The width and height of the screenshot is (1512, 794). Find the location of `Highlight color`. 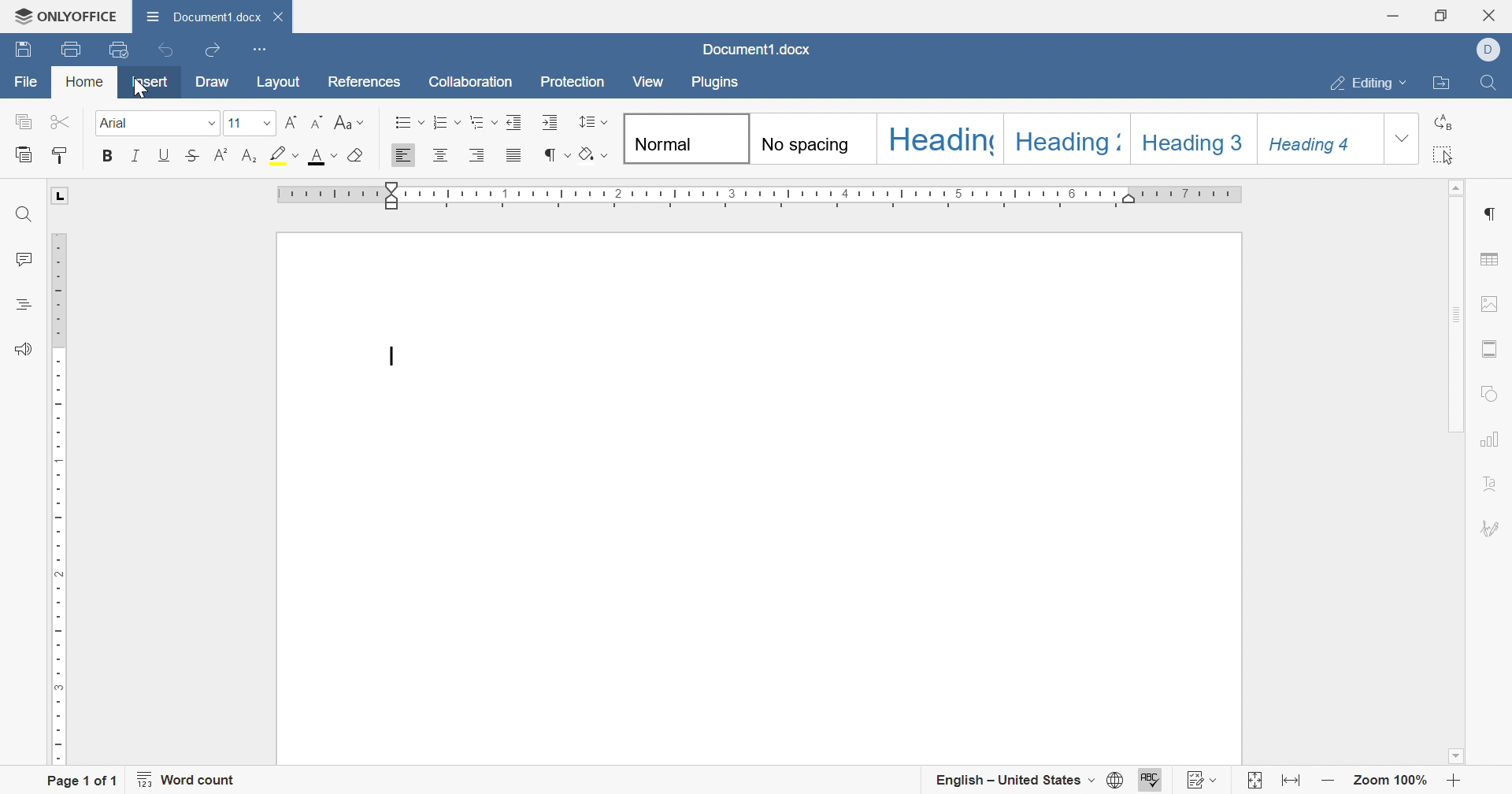

Highlight color is located at coordinates (280, 155).